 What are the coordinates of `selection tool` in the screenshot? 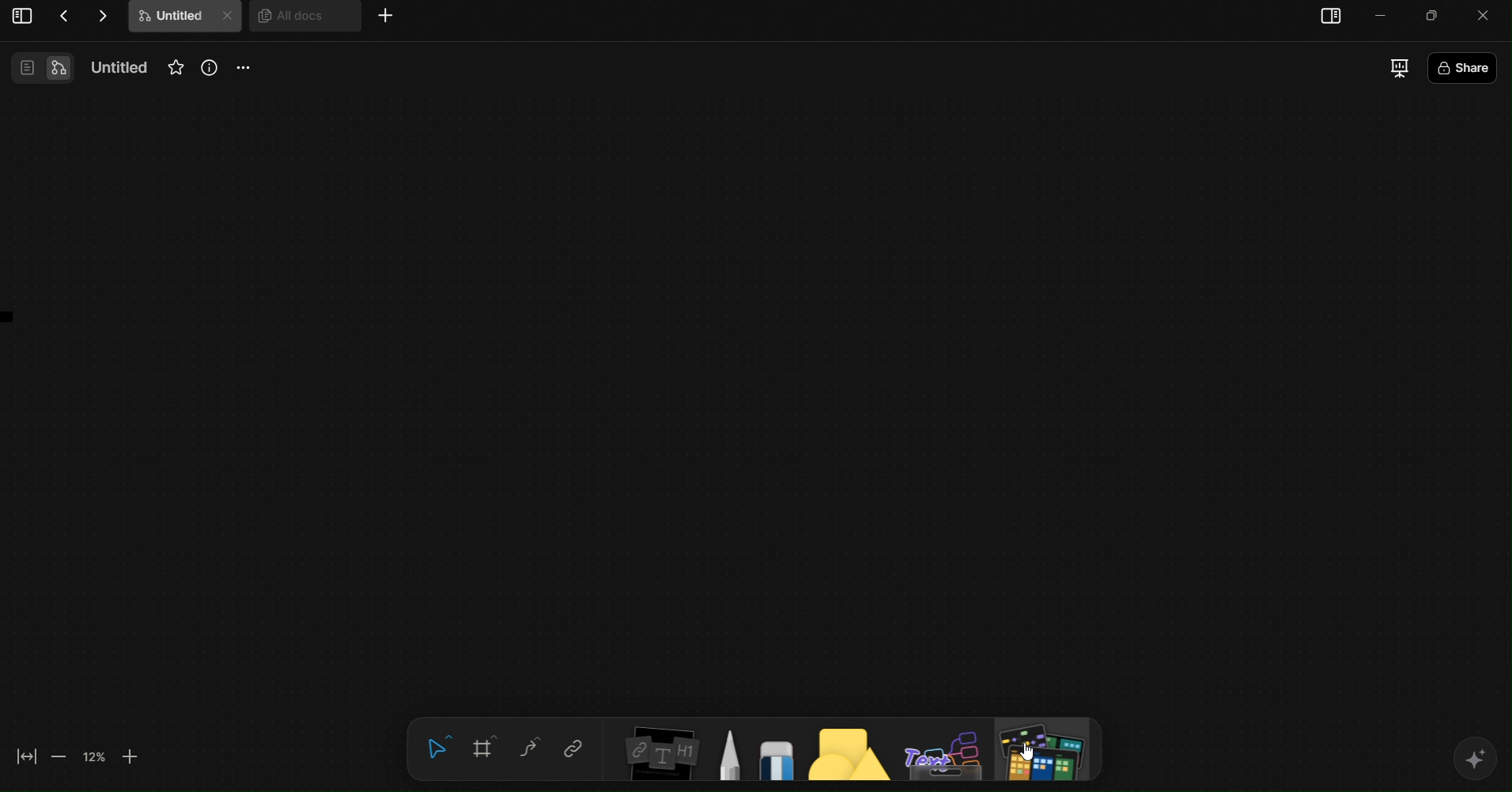 It's located at (437, 748).